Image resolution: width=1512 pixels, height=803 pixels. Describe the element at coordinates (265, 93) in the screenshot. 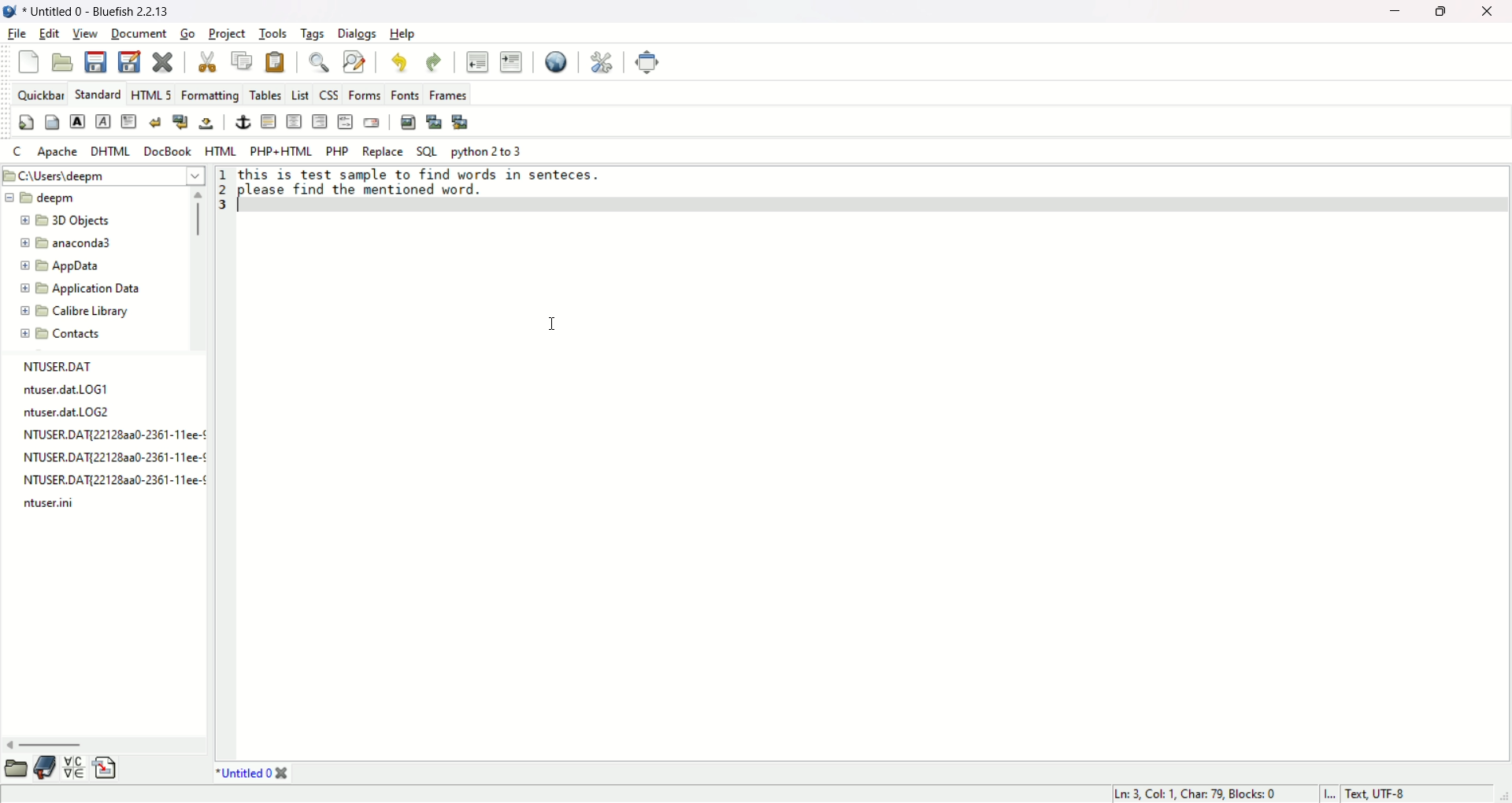

I see `tables` at that location.